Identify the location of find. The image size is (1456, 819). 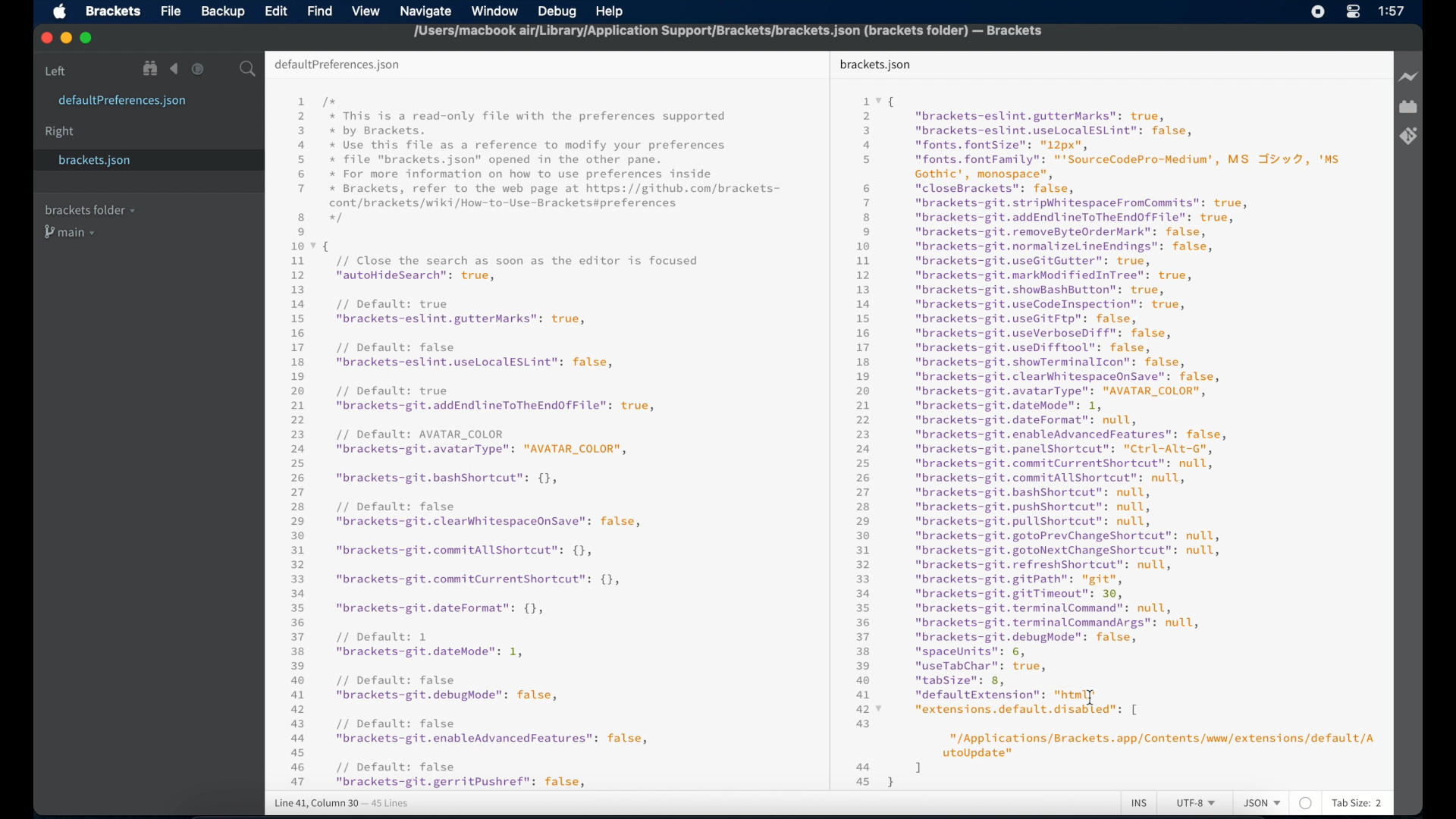
(320, 11).